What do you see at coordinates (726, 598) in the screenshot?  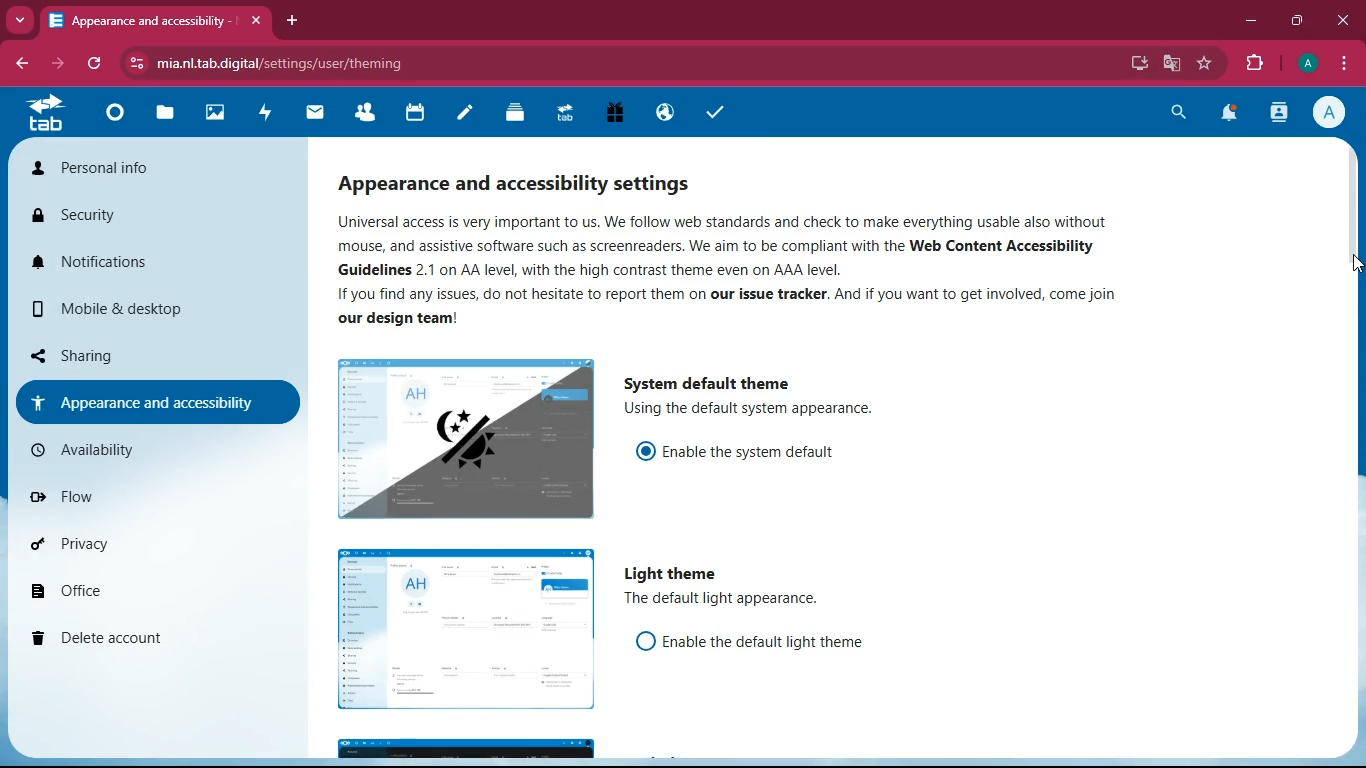 I see `The default light appearance` at bounding box center [726, 598].